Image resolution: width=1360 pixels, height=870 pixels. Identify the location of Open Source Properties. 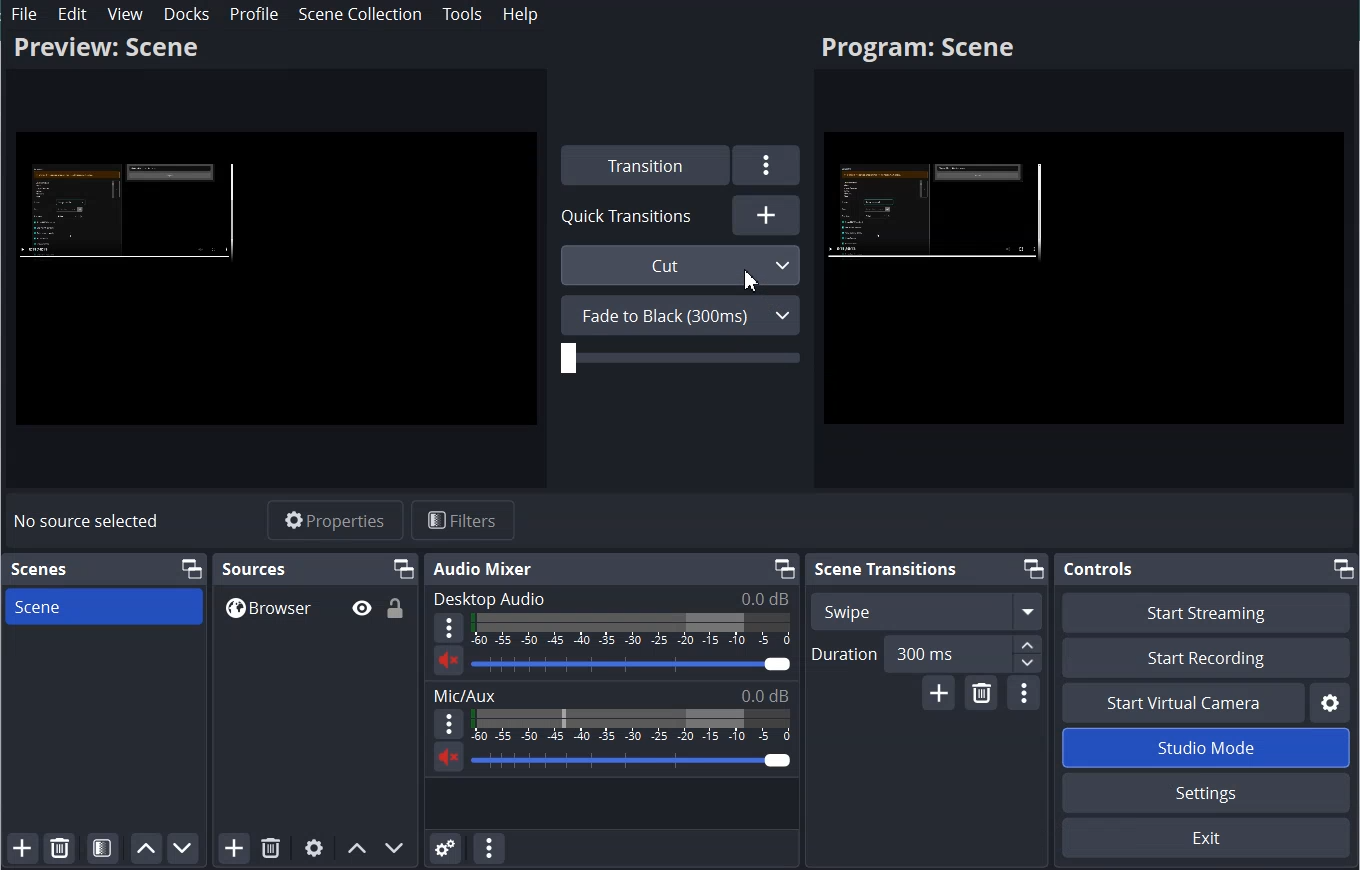
(313, 848).